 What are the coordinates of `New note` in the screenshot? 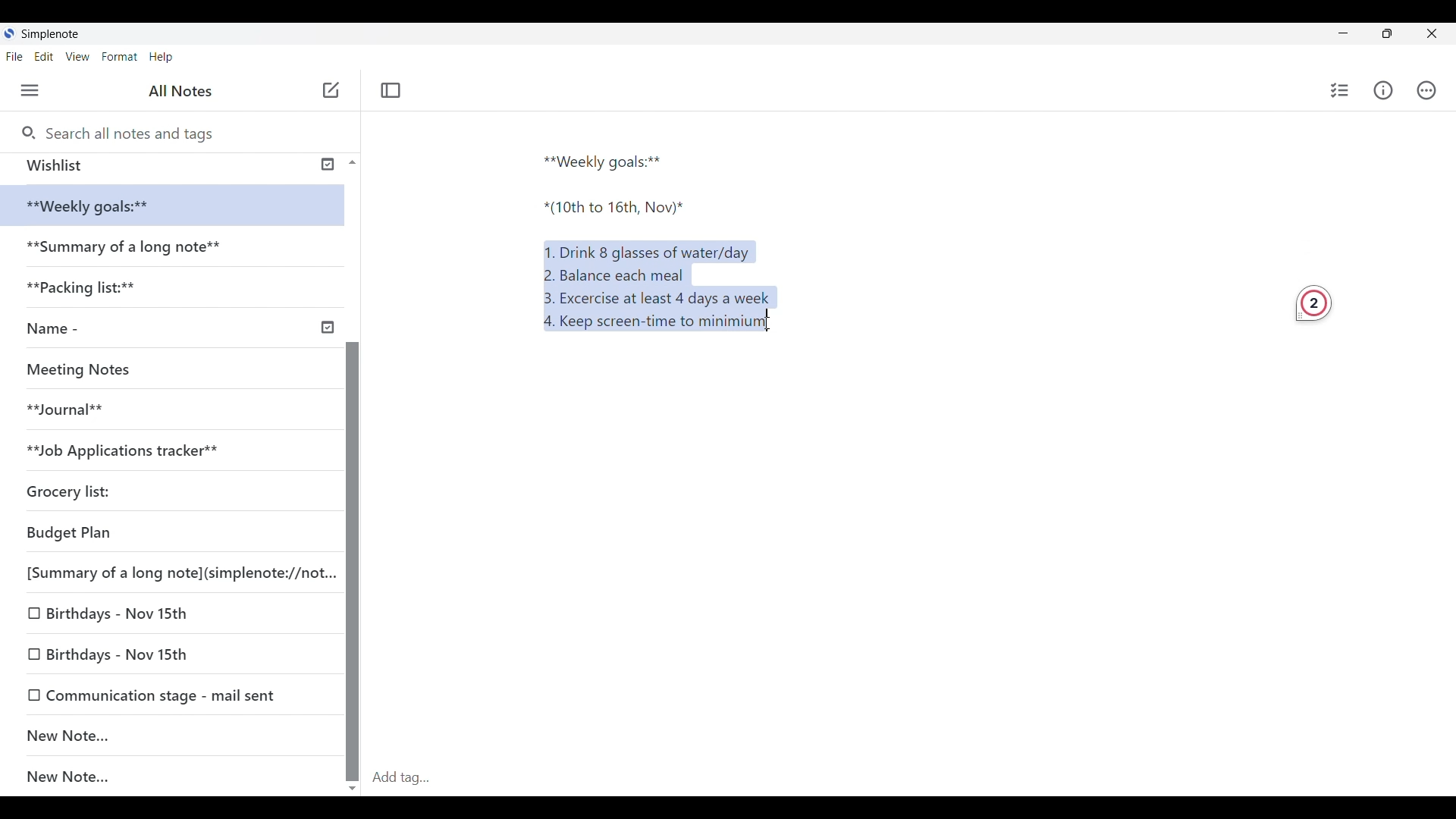 It's located at (164, 735).